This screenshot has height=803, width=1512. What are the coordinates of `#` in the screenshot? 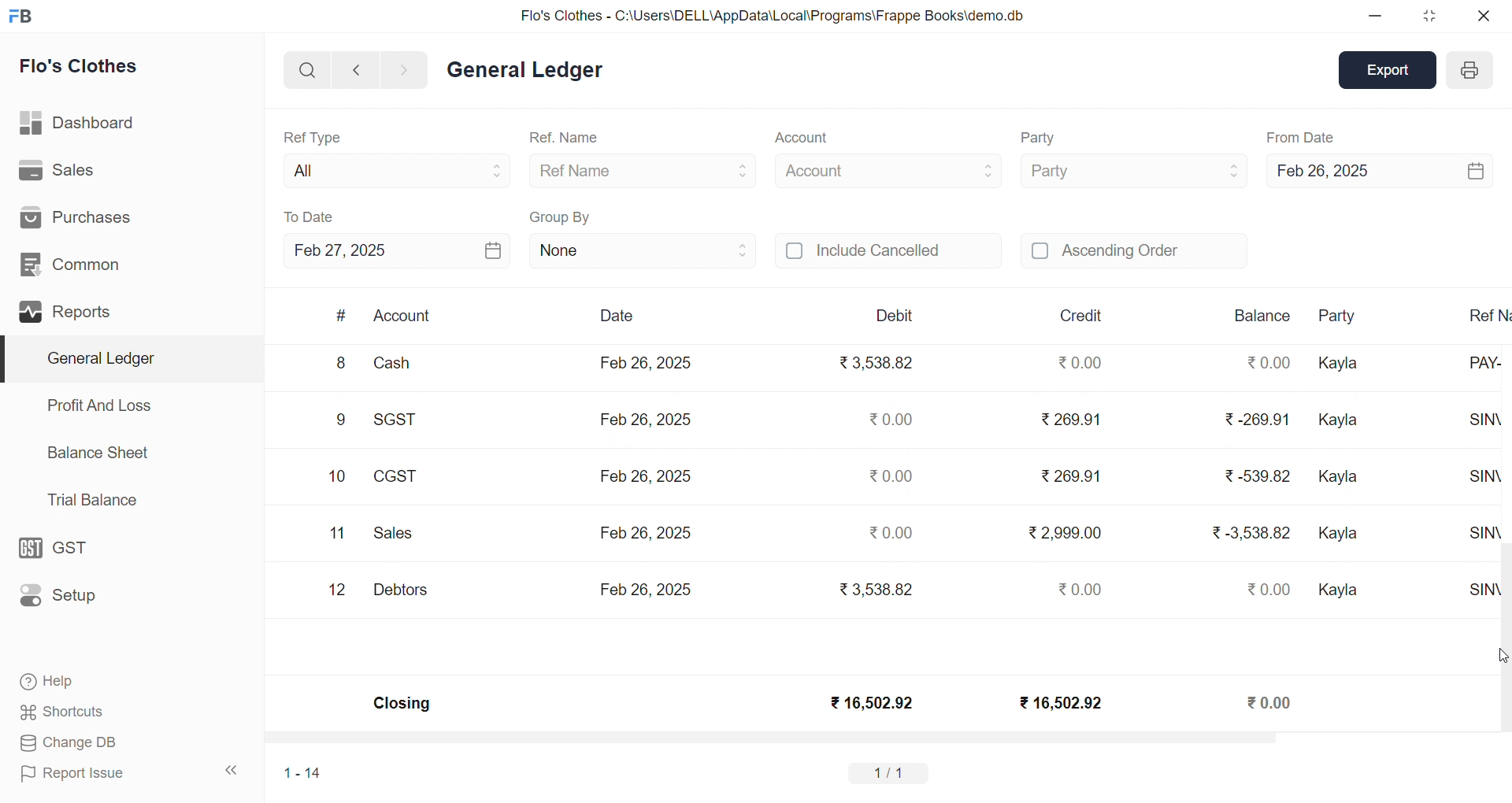 It's located at (341, 316).